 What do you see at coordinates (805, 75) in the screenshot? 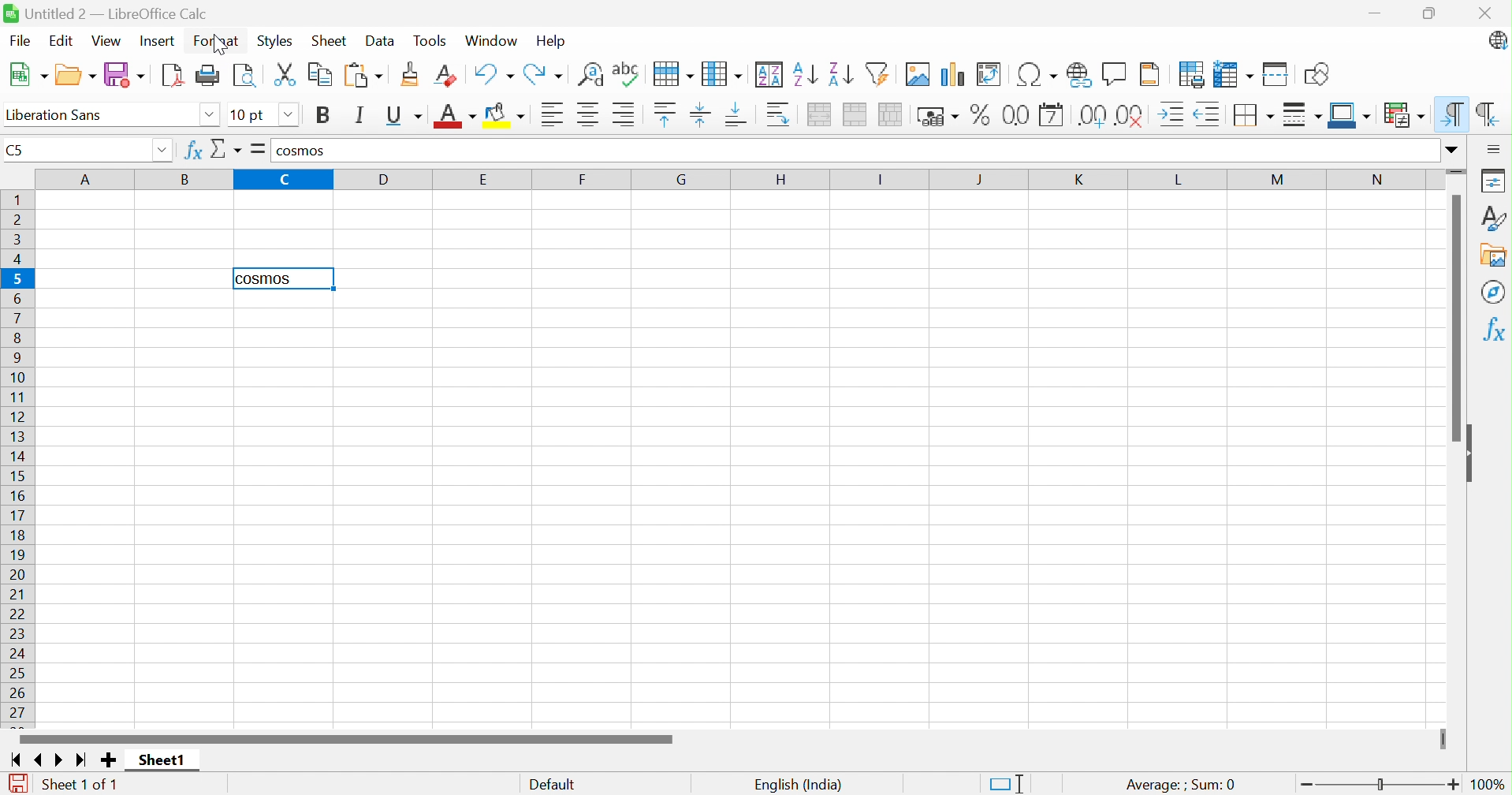
I see `Sort ascending` at bounding box center [805, 75].